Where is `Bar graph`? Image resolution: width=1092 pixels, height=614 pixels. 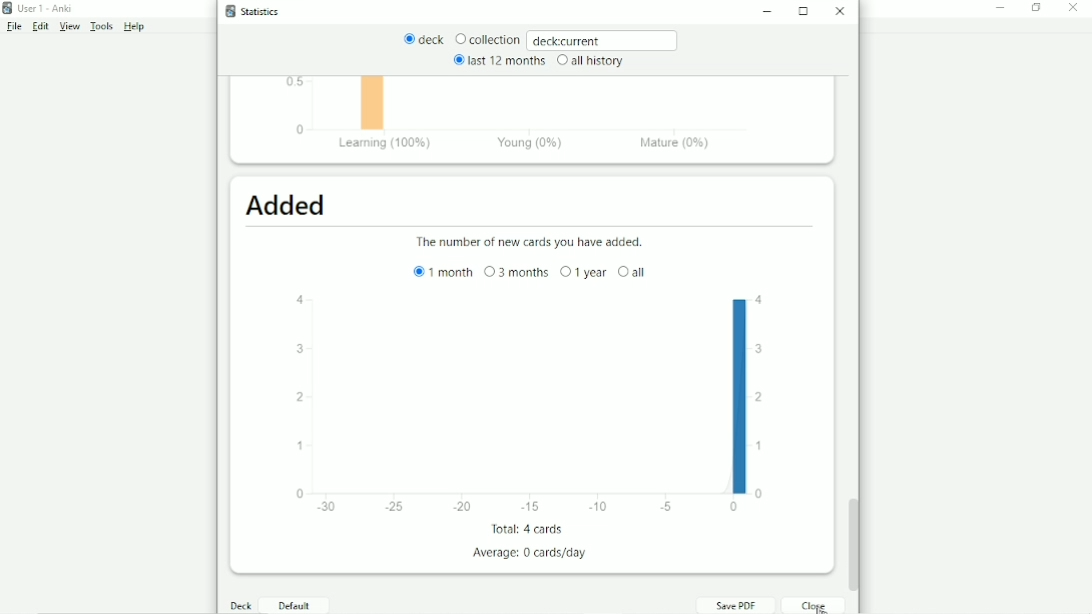
Bar graph is located at coordinates (532, 403).